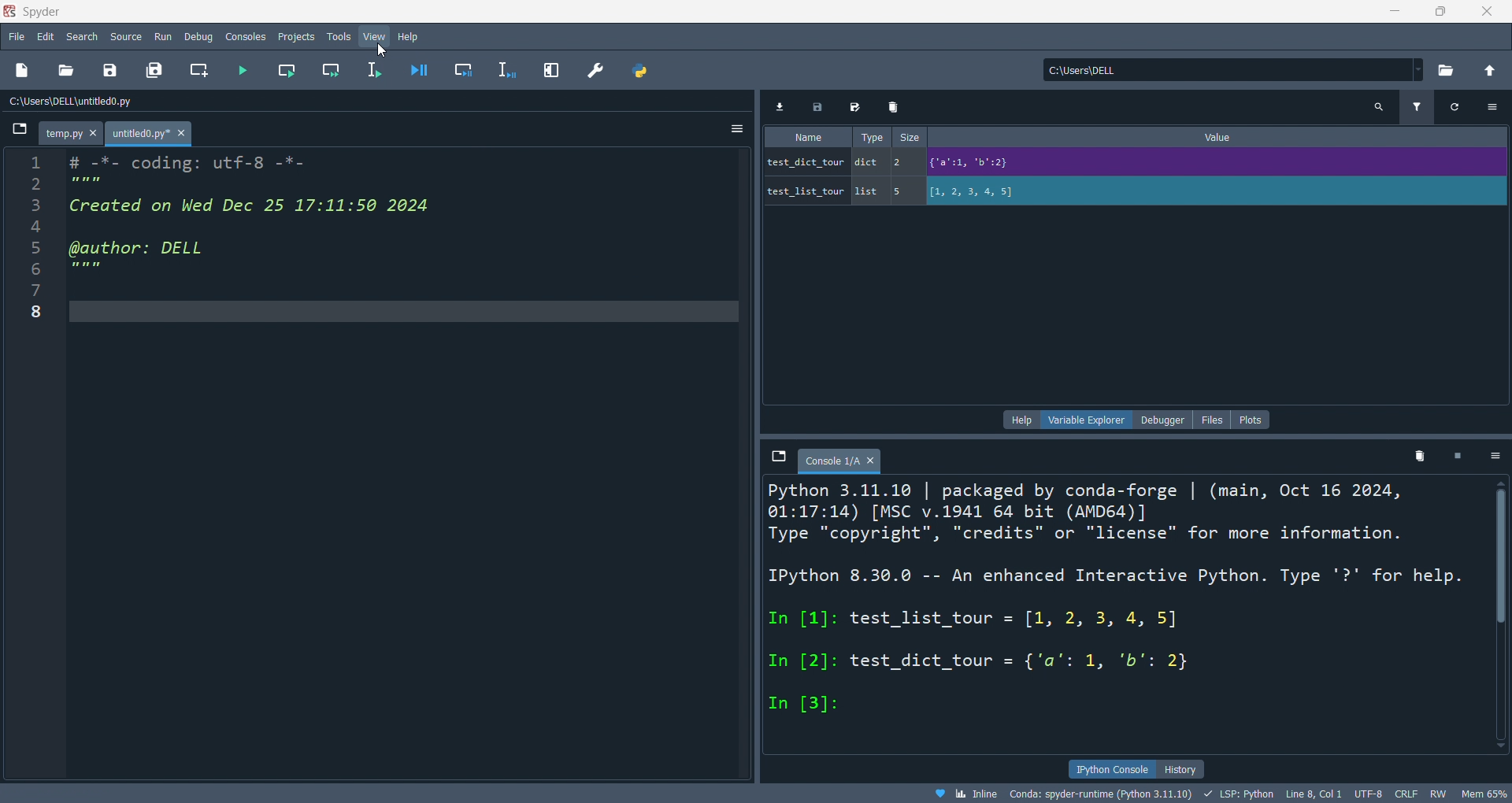 The width and height of the screenshot is (1512, 803). What do you see at coordinates (23, 70) in the screenshot?
I see `new file` at bounding box center [23, 70].